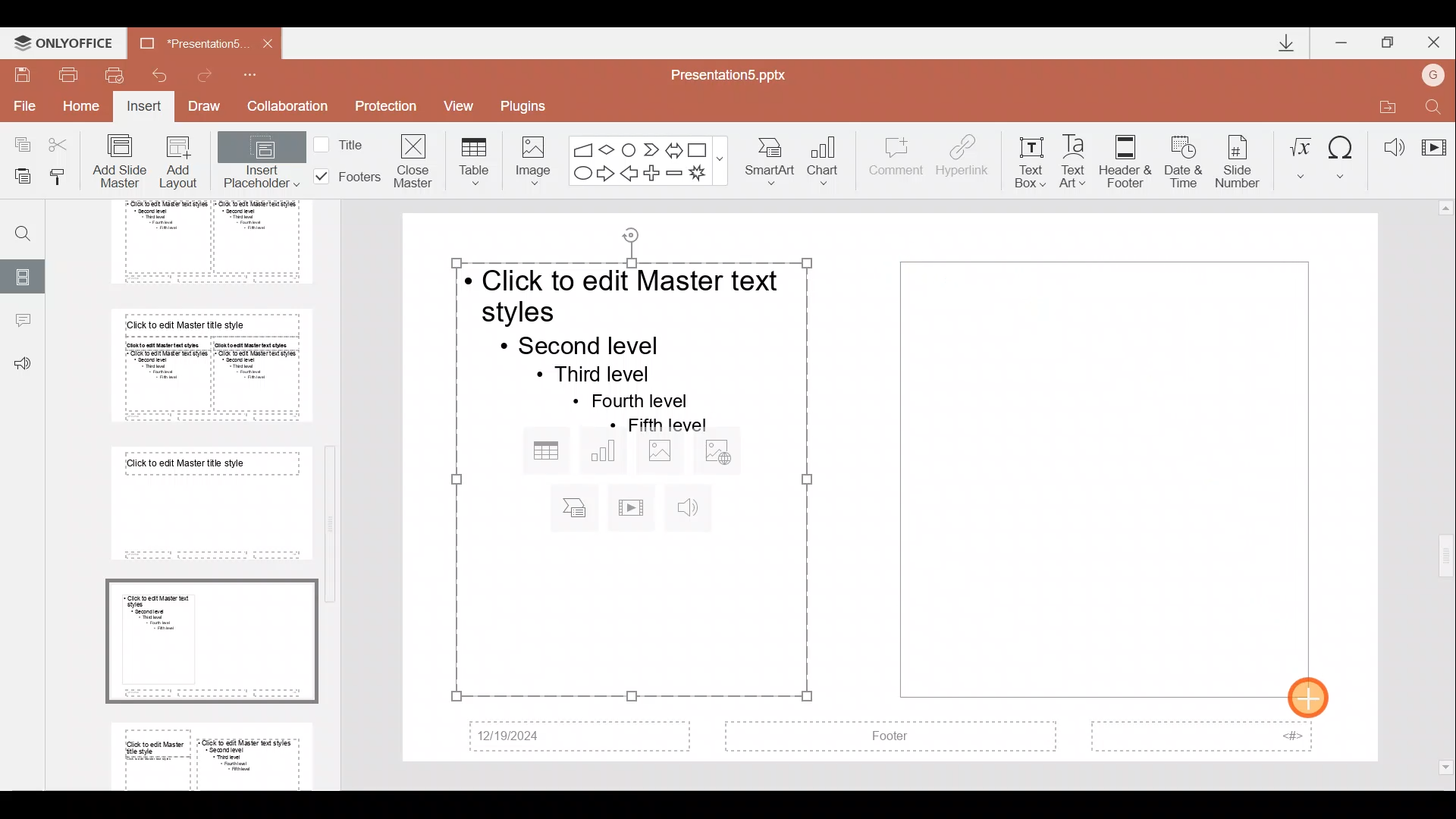  What do you see at coordinates (472, 160) in the screenshot?
I see `Table` at bounding box center [472, 160].